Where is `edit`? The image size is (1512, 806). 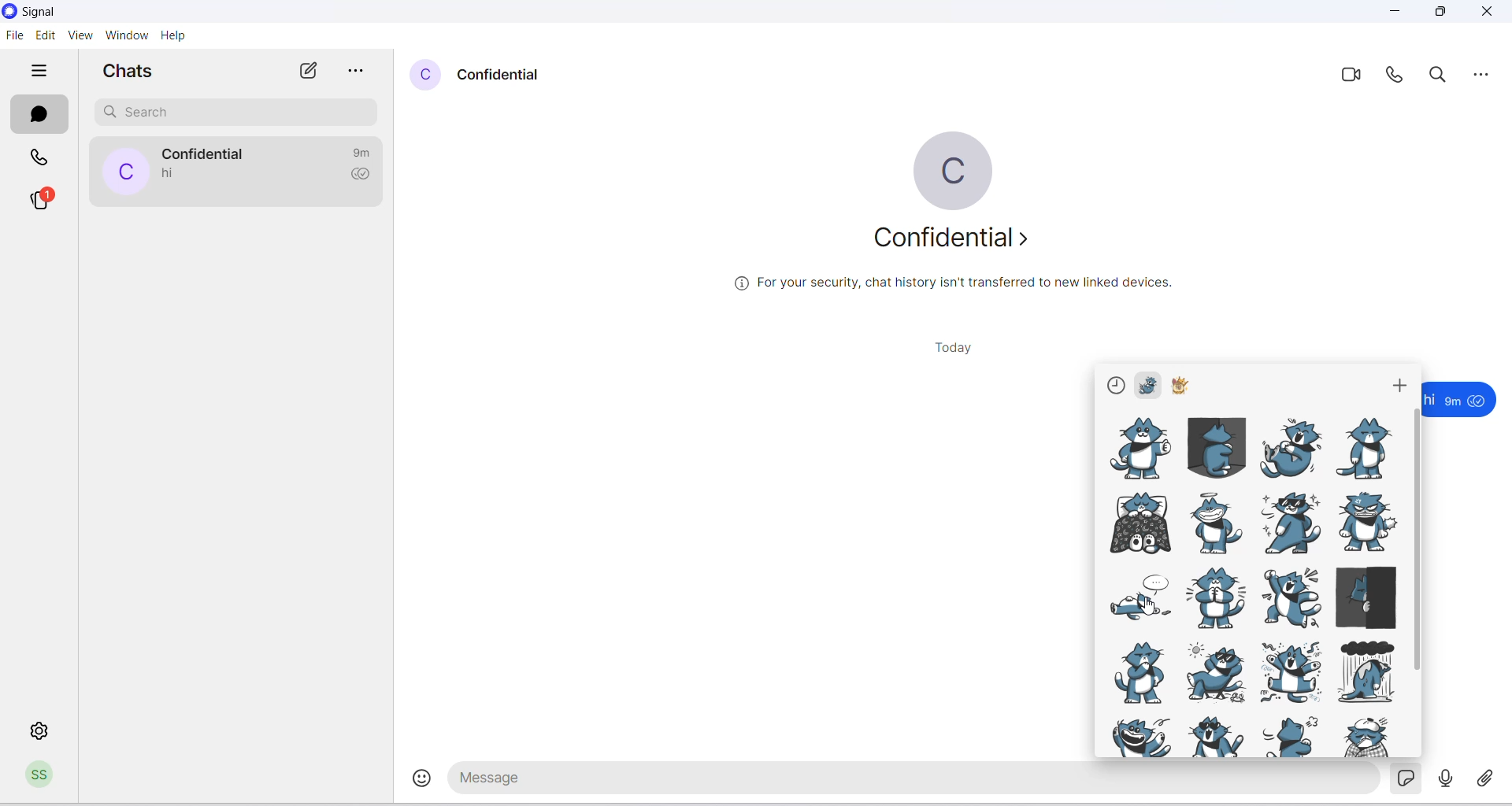
edit is located at coordinates (46, 35).